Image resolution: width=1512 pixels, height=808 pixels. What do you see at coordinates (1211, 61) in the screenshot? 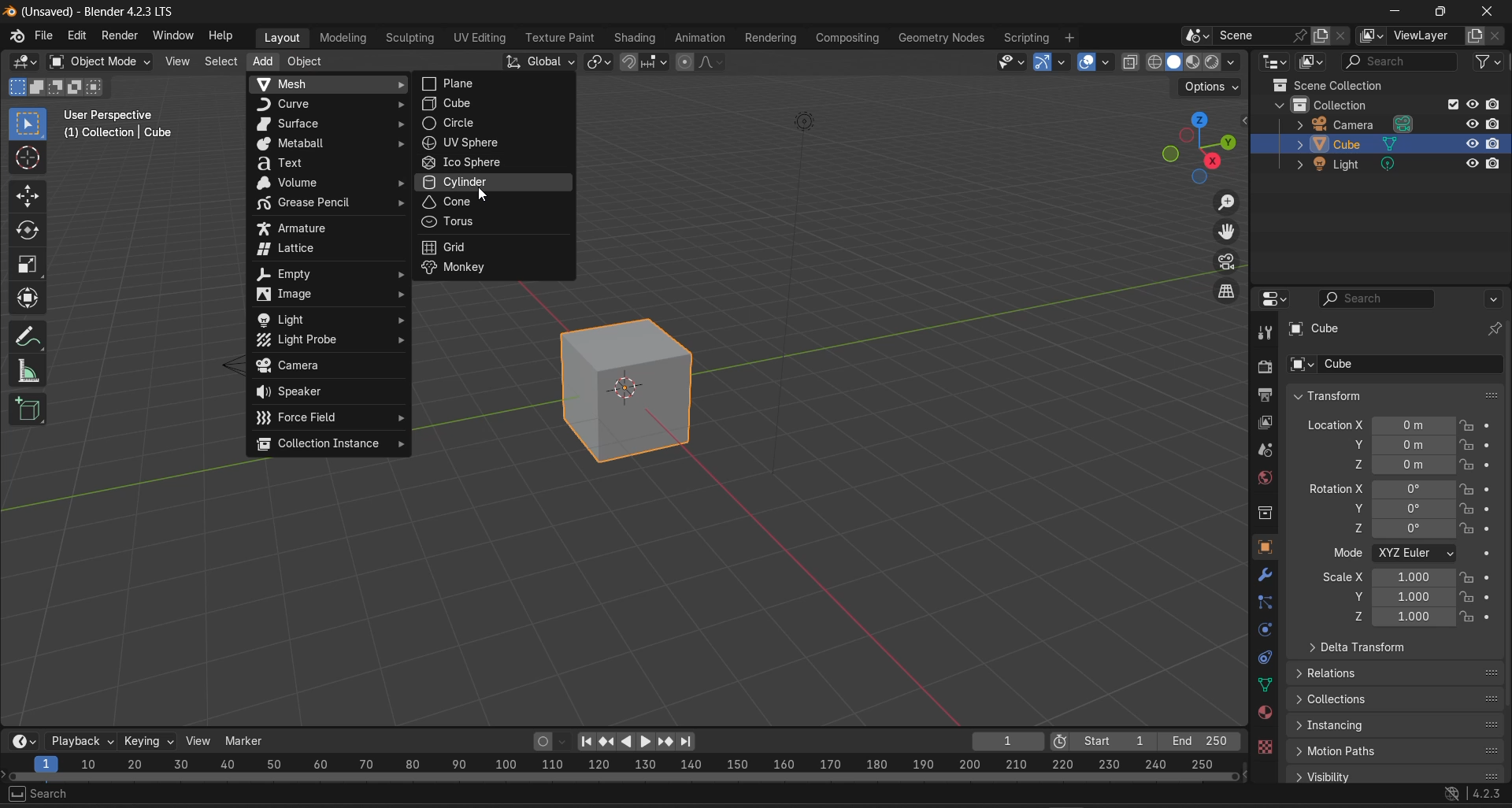
I see `viewport shading:rendered` at bounding box center [1211, 61].